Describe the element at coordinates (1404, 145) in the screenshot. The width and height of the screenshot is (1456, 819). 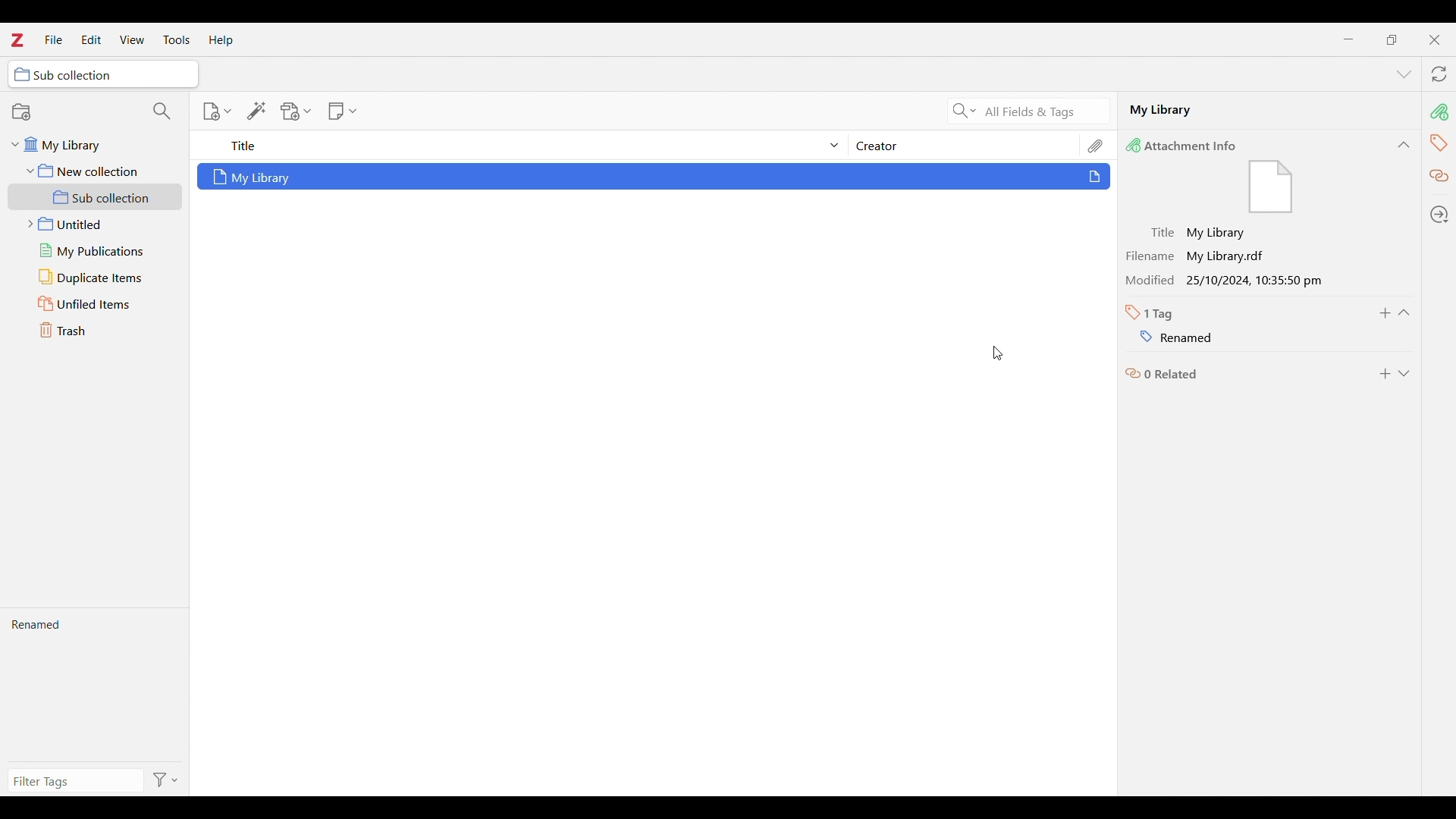
I see `Collapse` at that location.